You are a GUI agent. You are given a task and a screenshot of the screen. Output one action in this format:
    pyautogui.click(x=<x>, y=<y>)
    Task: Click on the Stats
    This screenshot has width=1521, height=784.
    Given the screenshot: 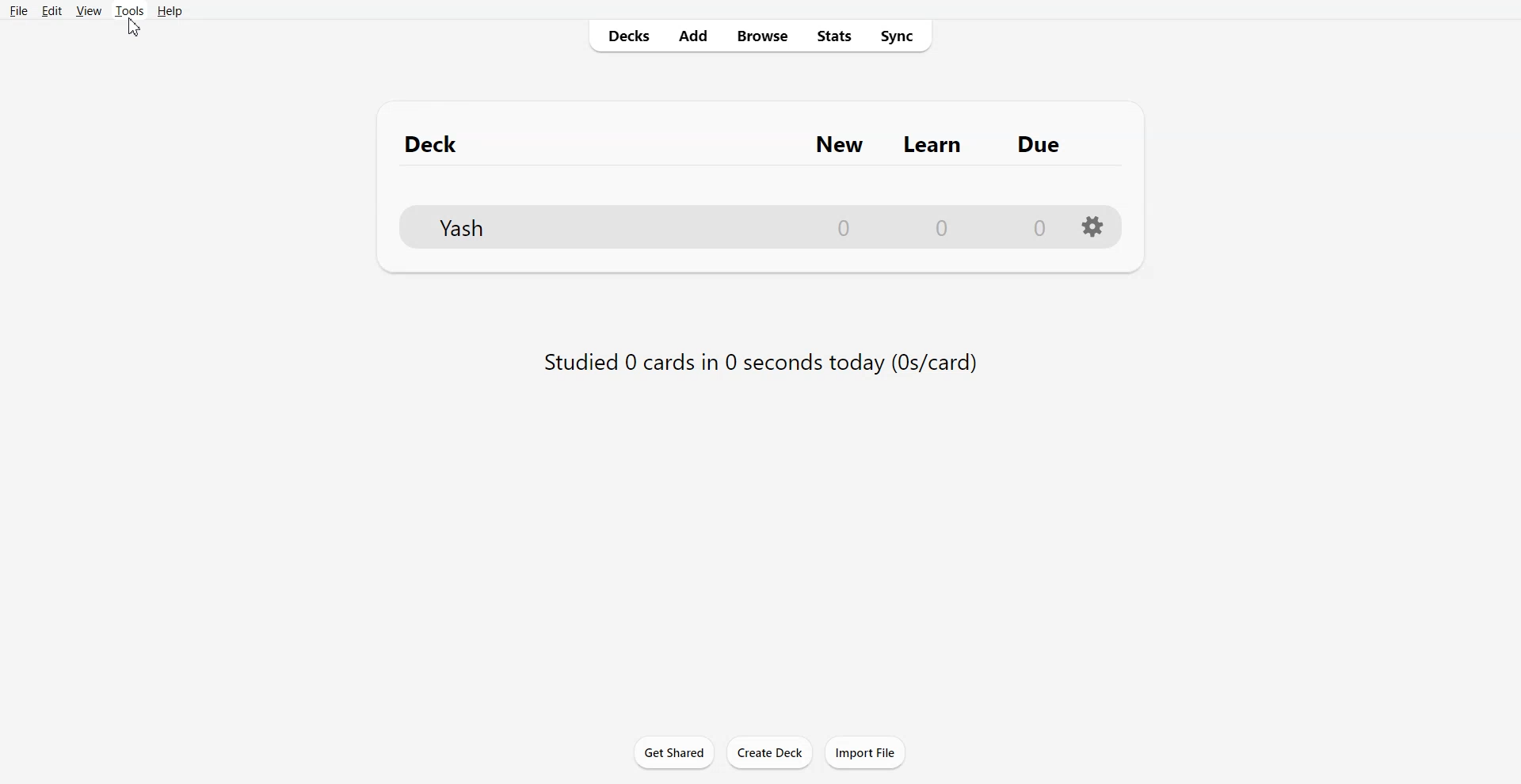 What is the action you would take?
    pyautogui.click(x=832, y=35)
    